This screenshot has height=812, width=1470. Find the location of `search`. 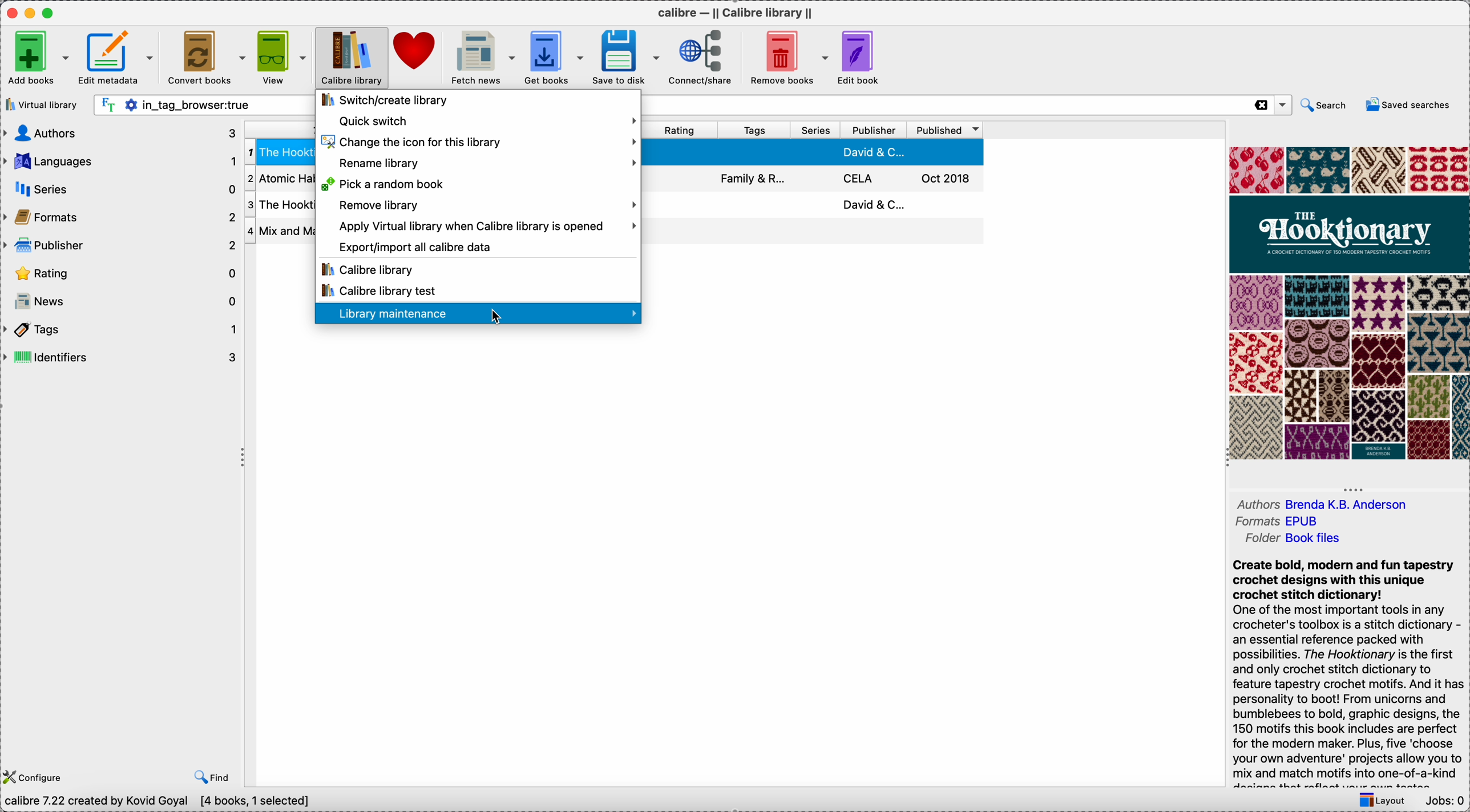

search is located at coordinates (1326, 106).